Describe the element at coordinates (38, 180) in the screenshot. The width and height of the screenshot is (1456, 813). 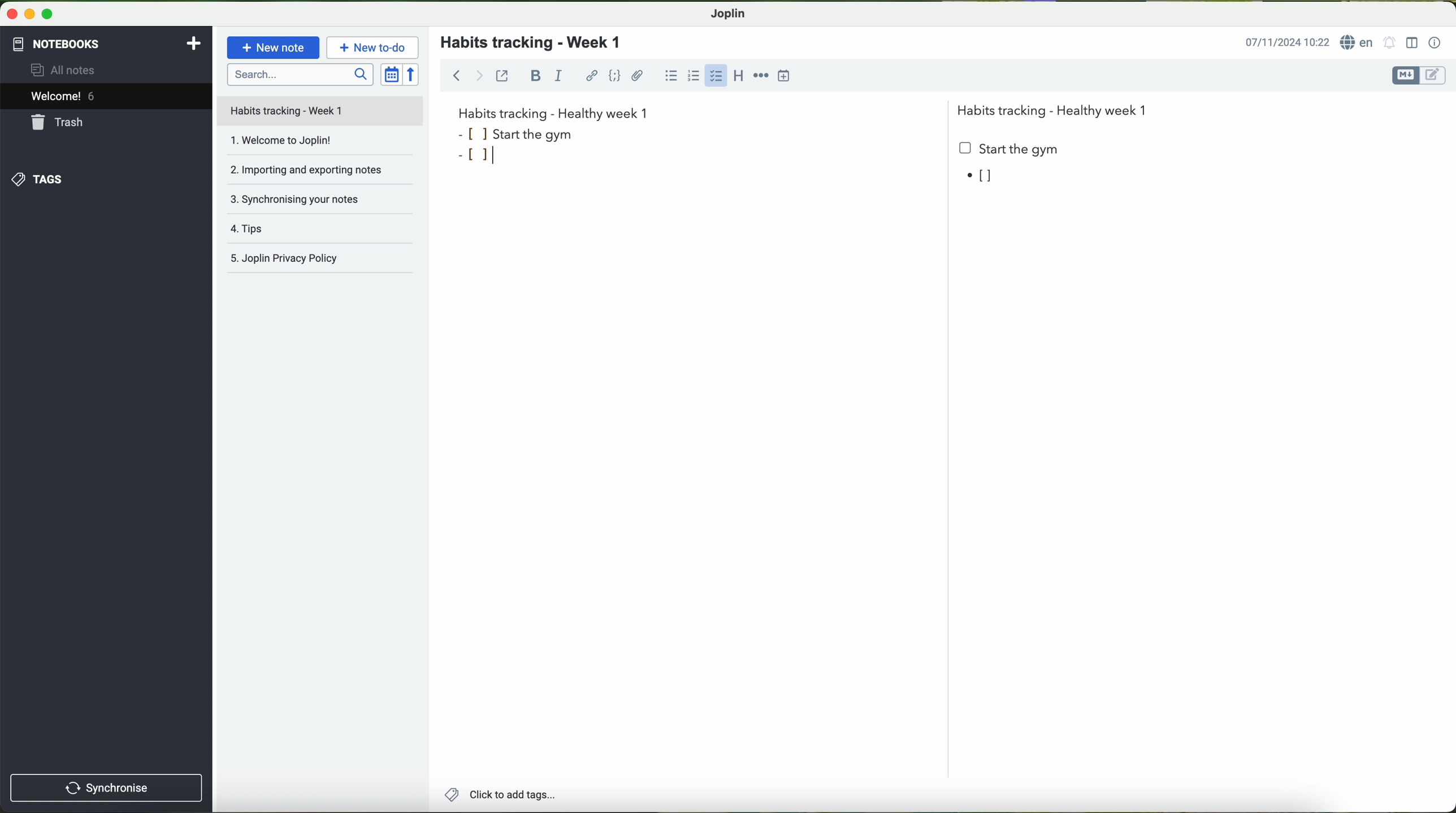
I see `tags` at that location.